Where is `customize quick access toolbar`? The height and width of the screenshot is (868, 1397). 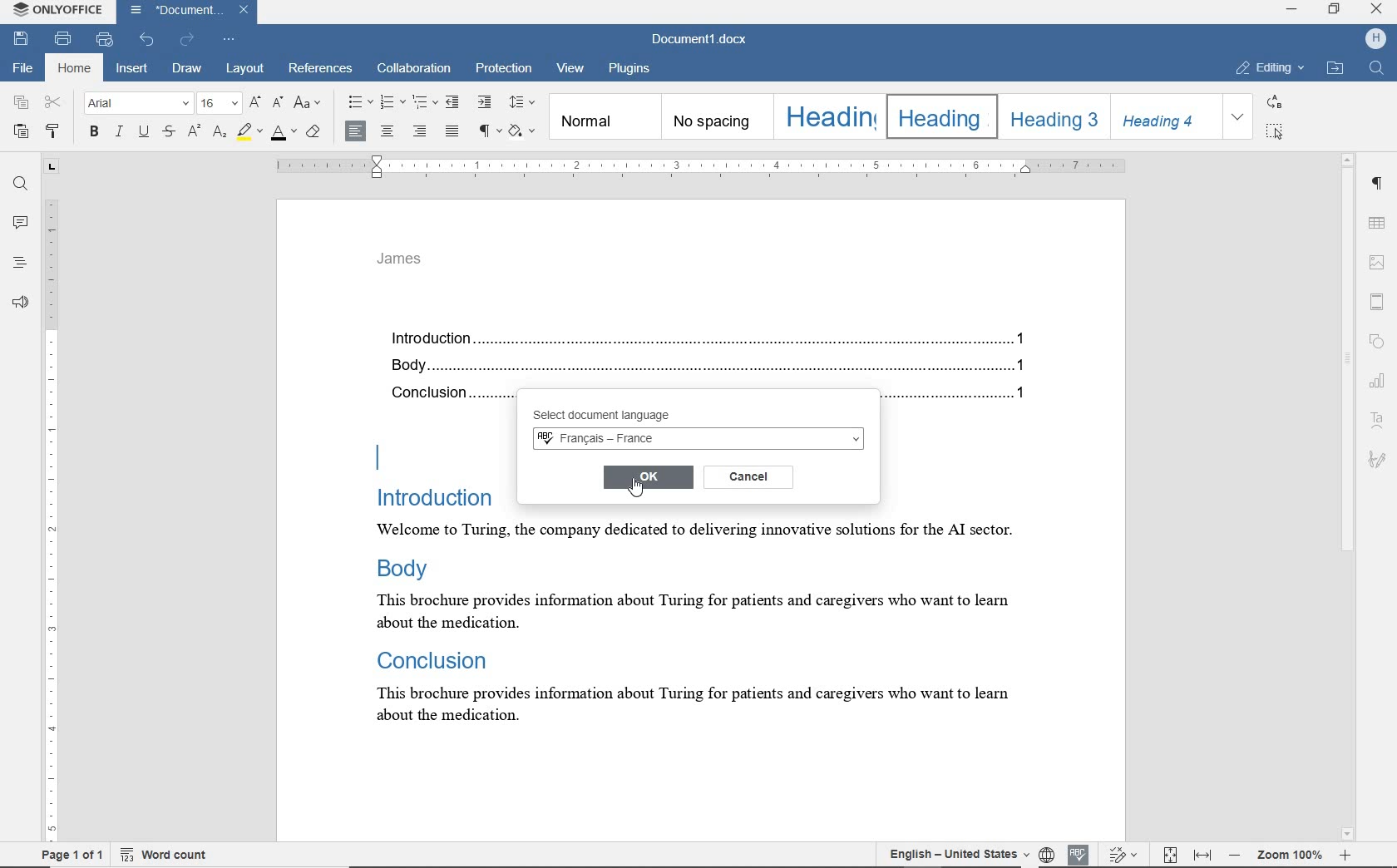 customize quick access toolbar is located at coordinates (229, 38).